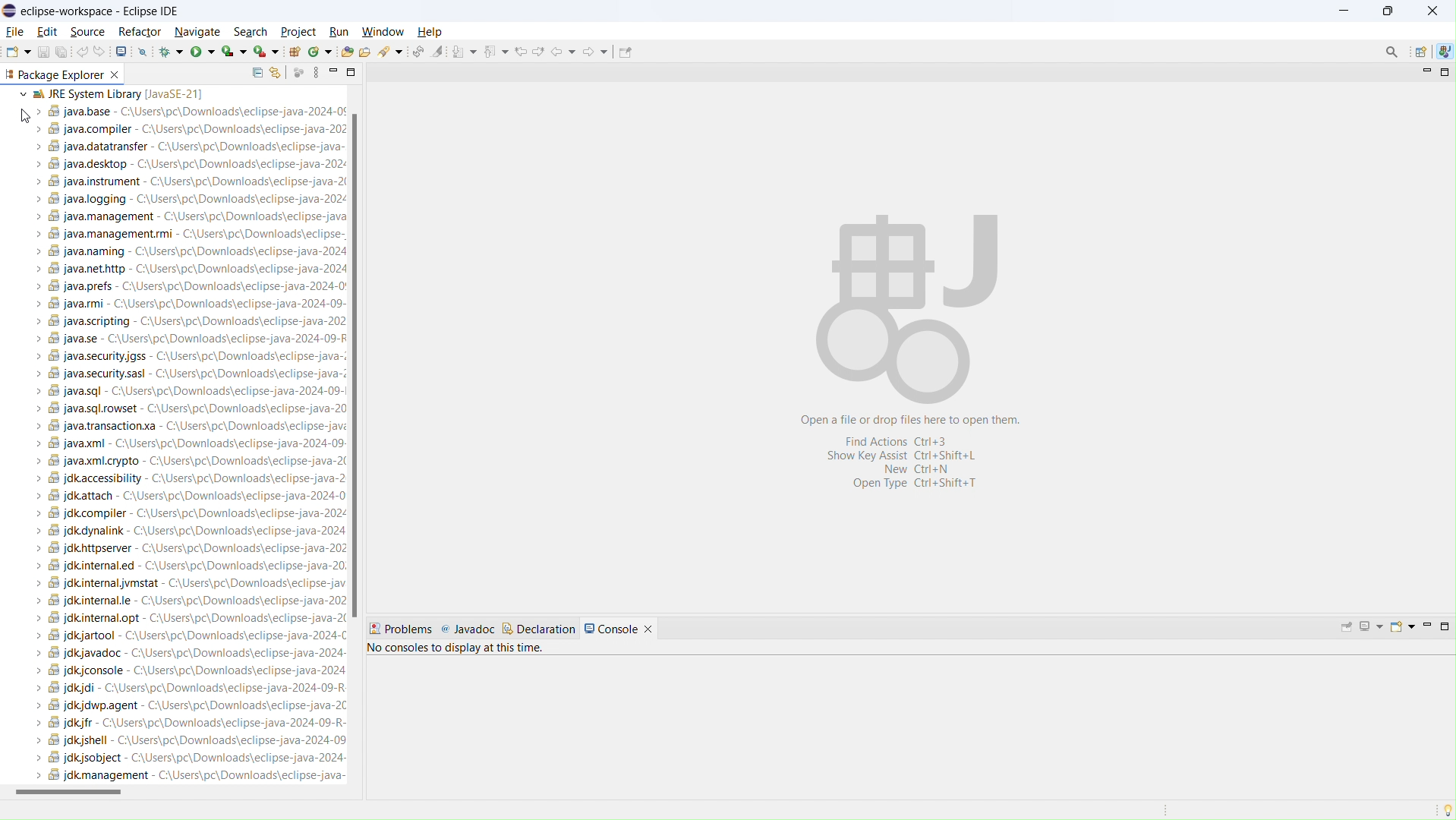 This screenshot has height=820, width=1456. What do you see at coordinates (320, 52) in the screenshot?
I see `New java class` at bounding box center [320, 52].